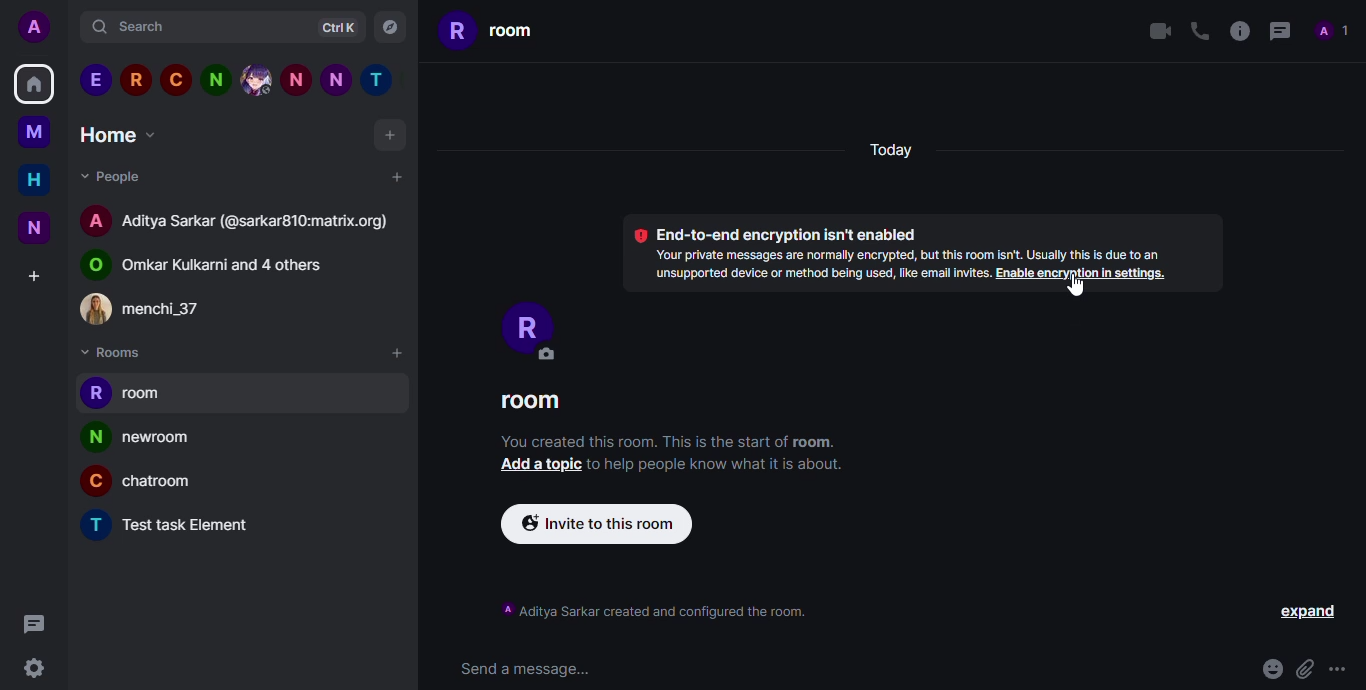  Describe the element at coordinates (205, 266) in the screenshot. I see `group` at that location.